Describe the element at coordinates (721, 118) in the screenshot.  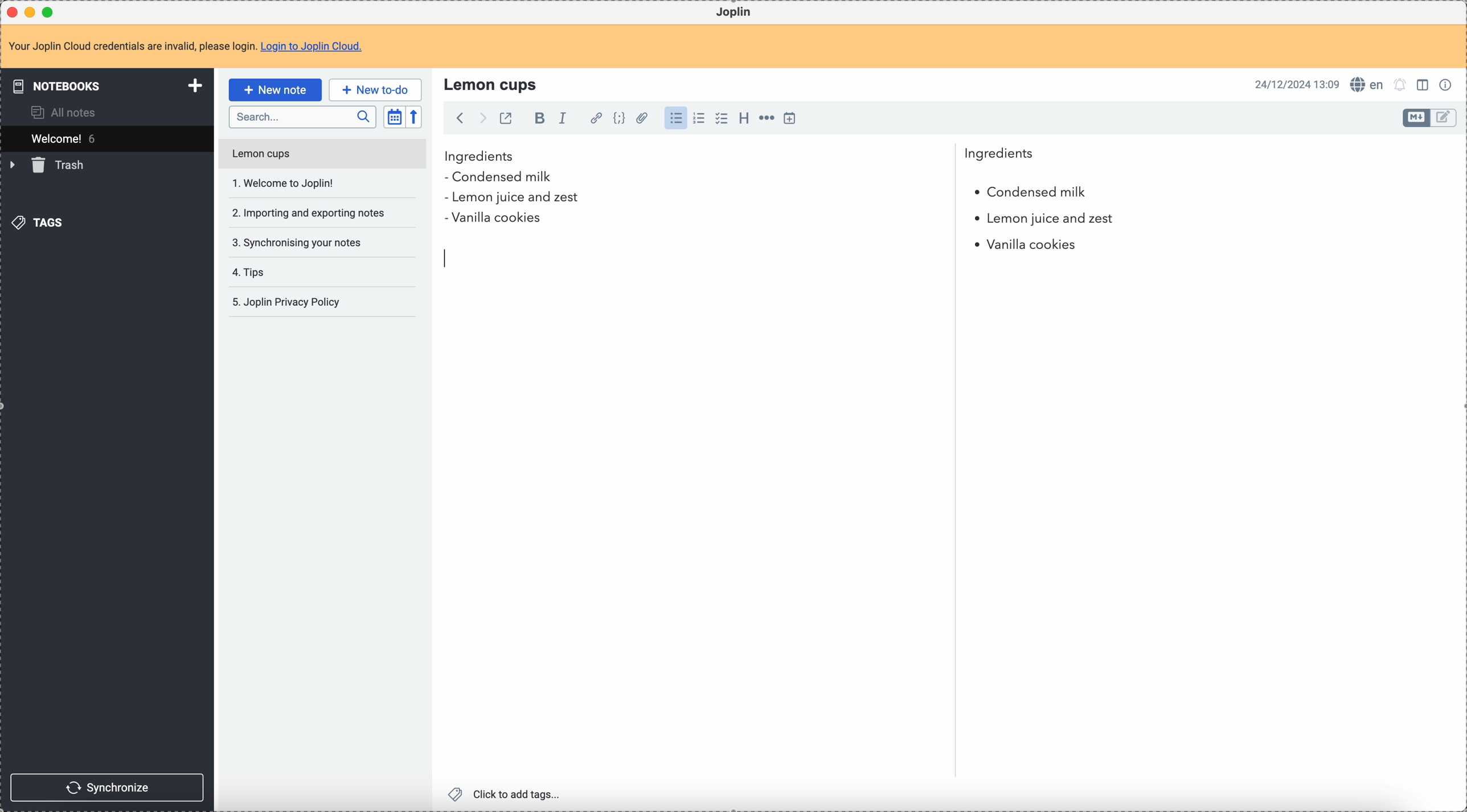
I see `check list` at that location.